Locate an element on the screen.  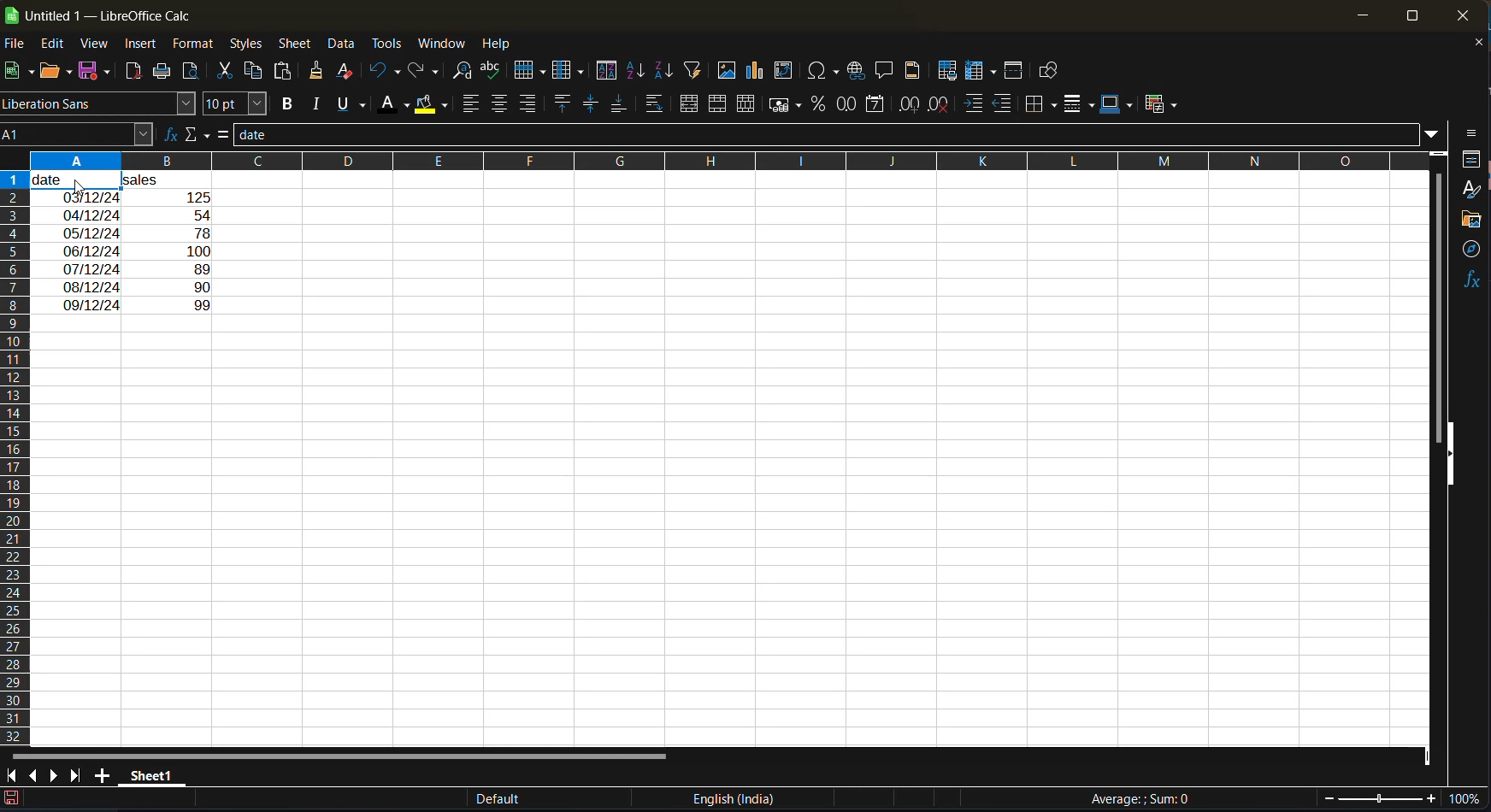
border style is located at coordinates (1078, 106).